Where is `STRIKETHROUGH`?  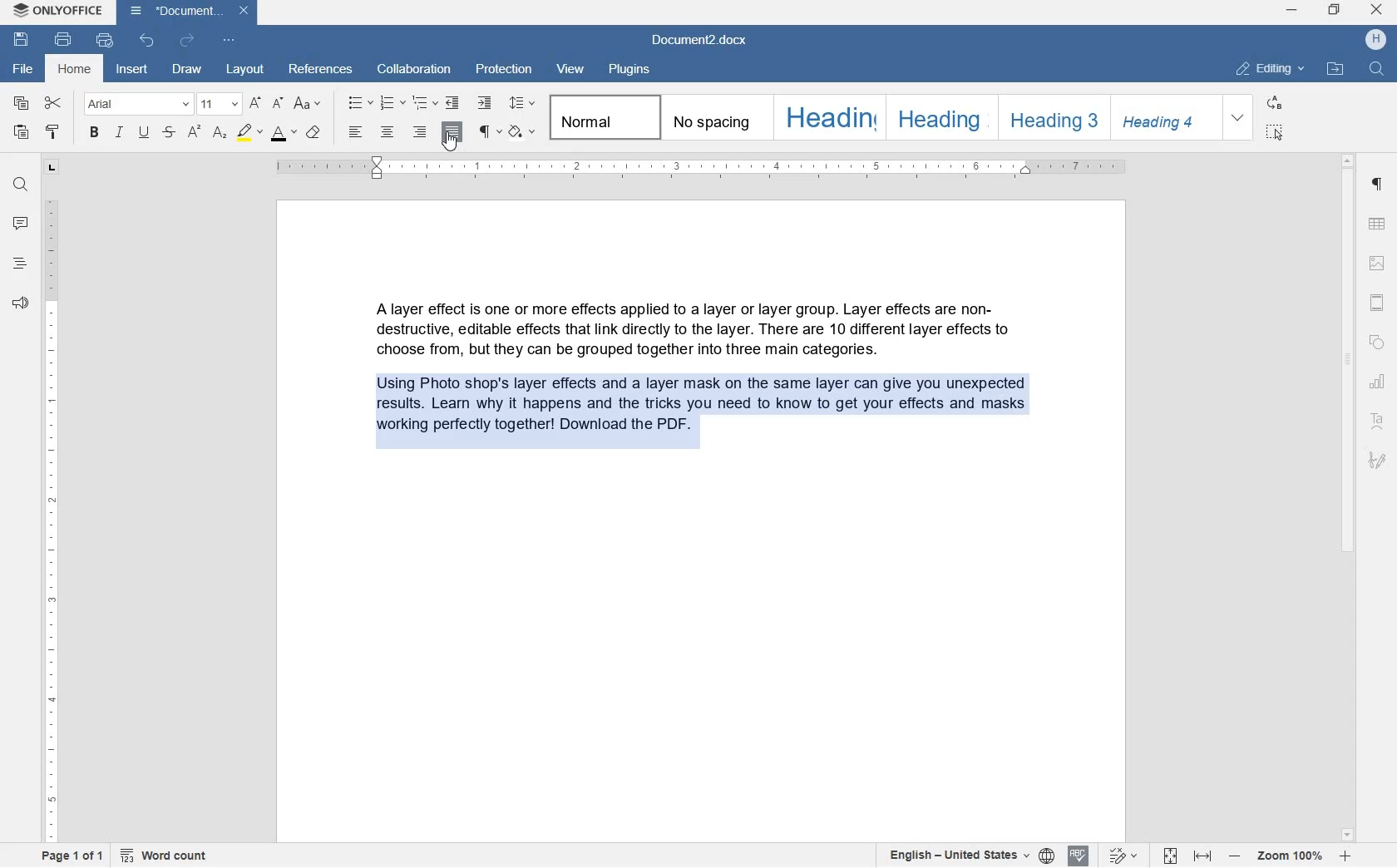
STRIKETHROUGH is located at coordinates (168, 134).